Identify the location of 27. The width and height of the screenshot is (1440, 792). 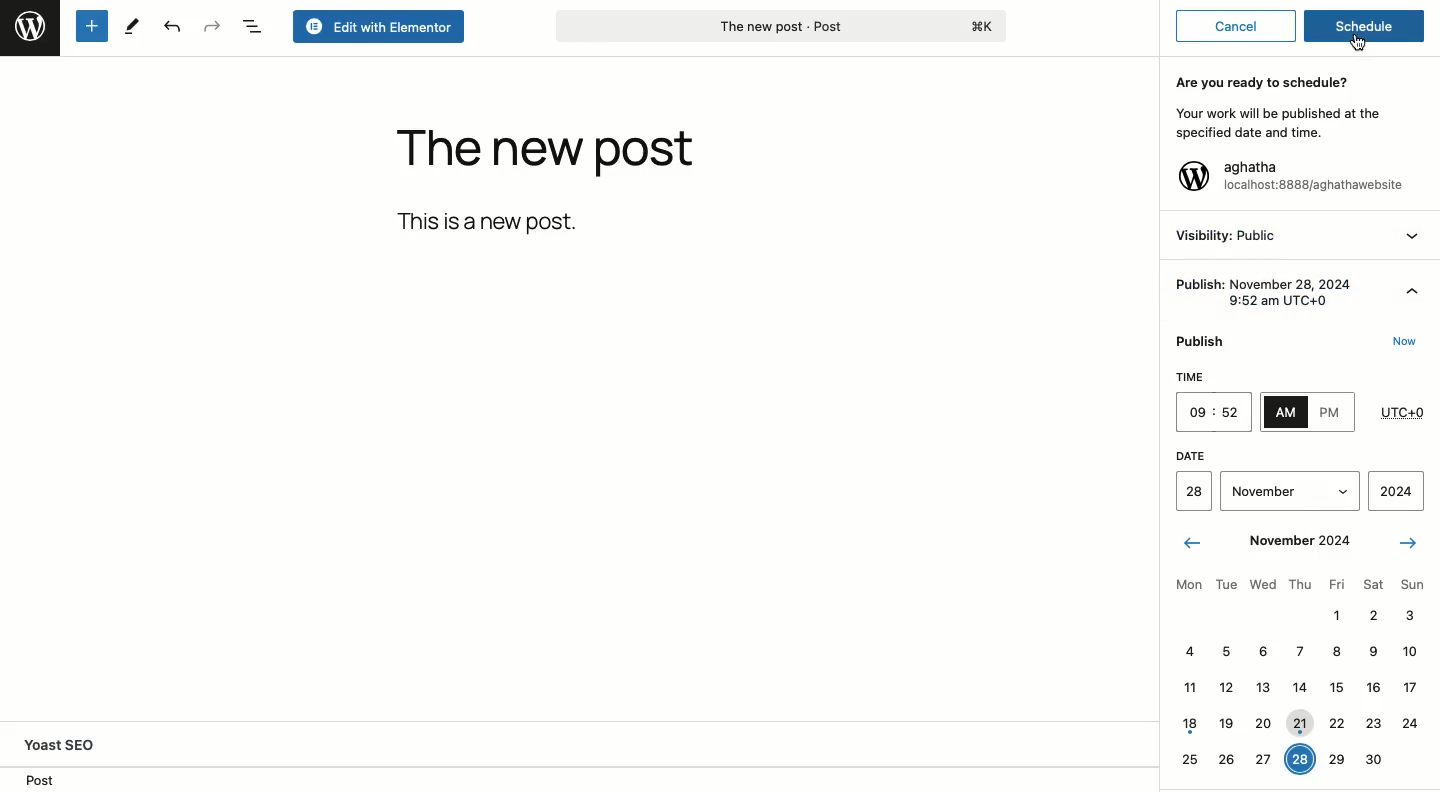
(1264, 756).